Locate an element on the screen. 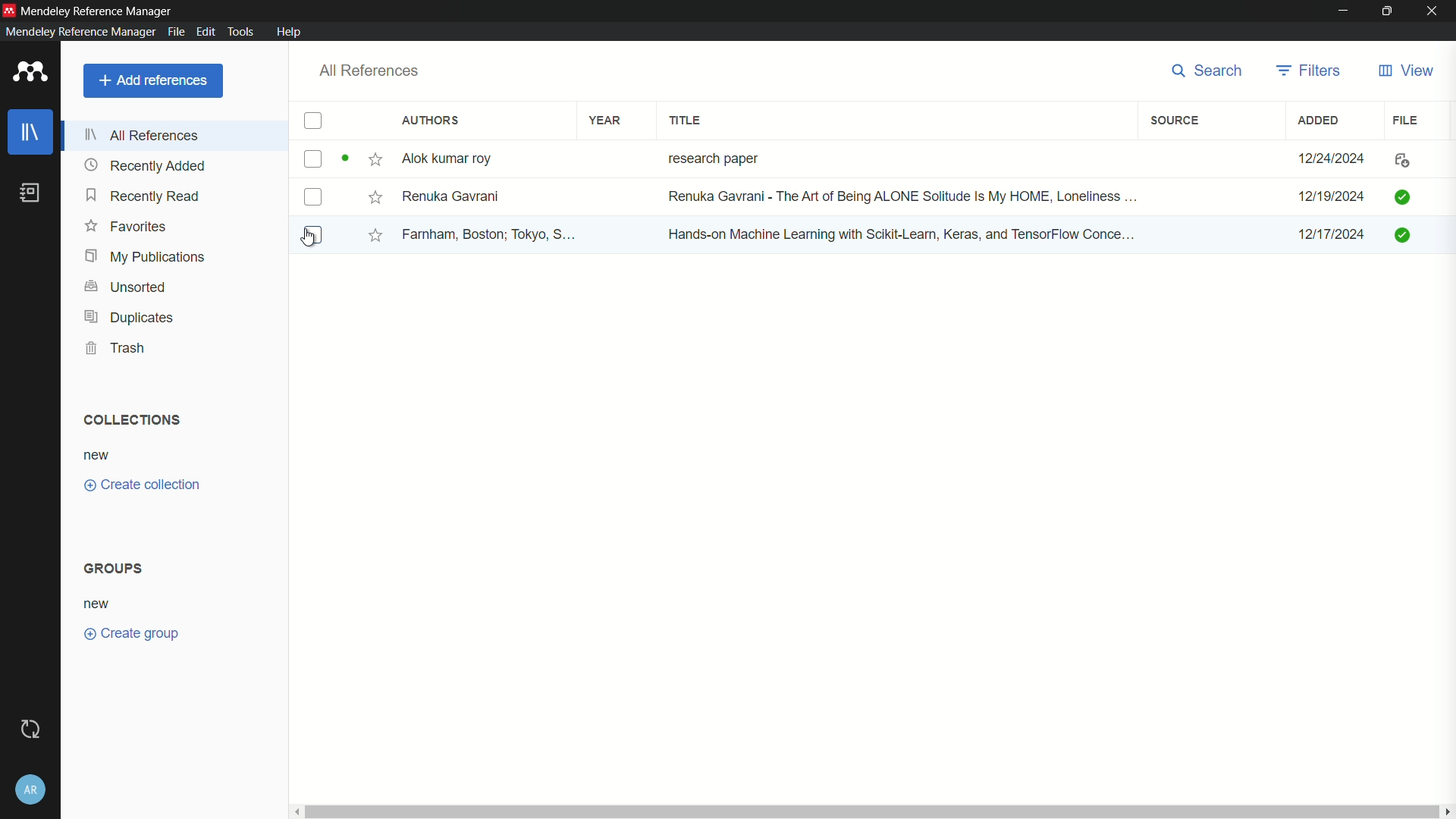  scrollbar is located at coordinates (873, 811).